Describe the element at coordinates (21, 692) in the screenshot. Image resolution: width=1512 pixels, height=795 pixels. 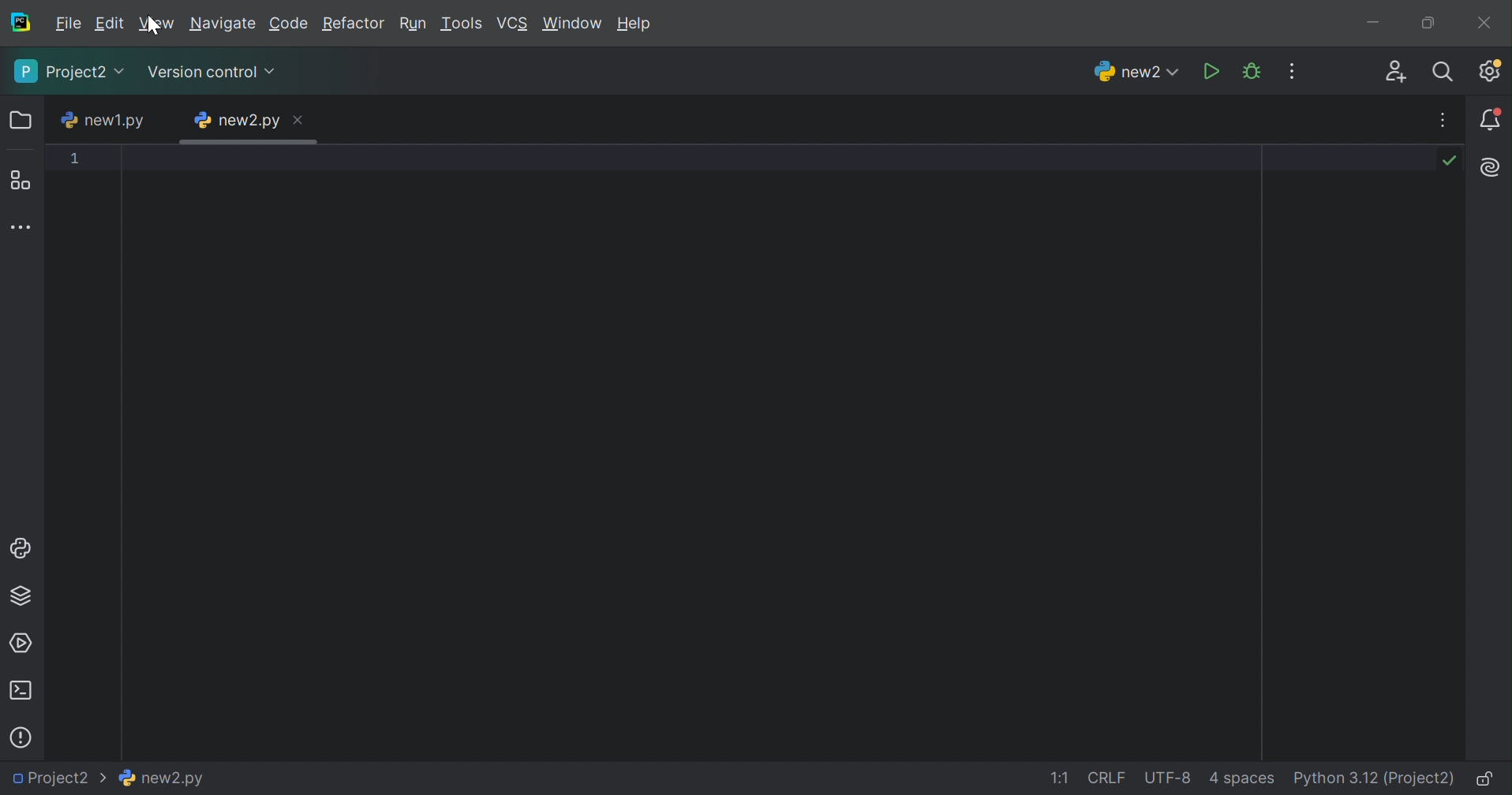
I see `Terminal` at that location.